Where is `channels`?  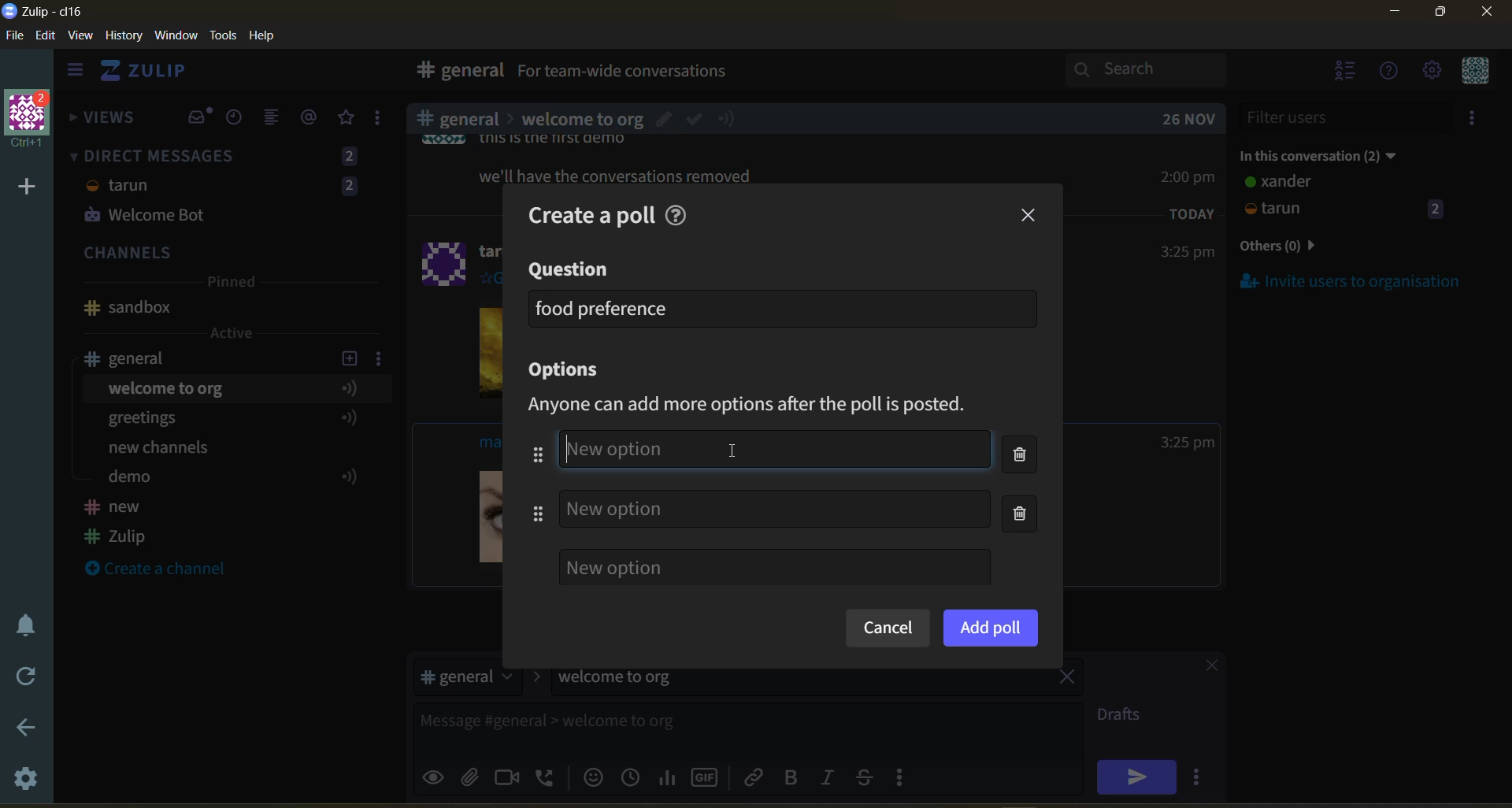 channels is located at coordinates (228, 254).